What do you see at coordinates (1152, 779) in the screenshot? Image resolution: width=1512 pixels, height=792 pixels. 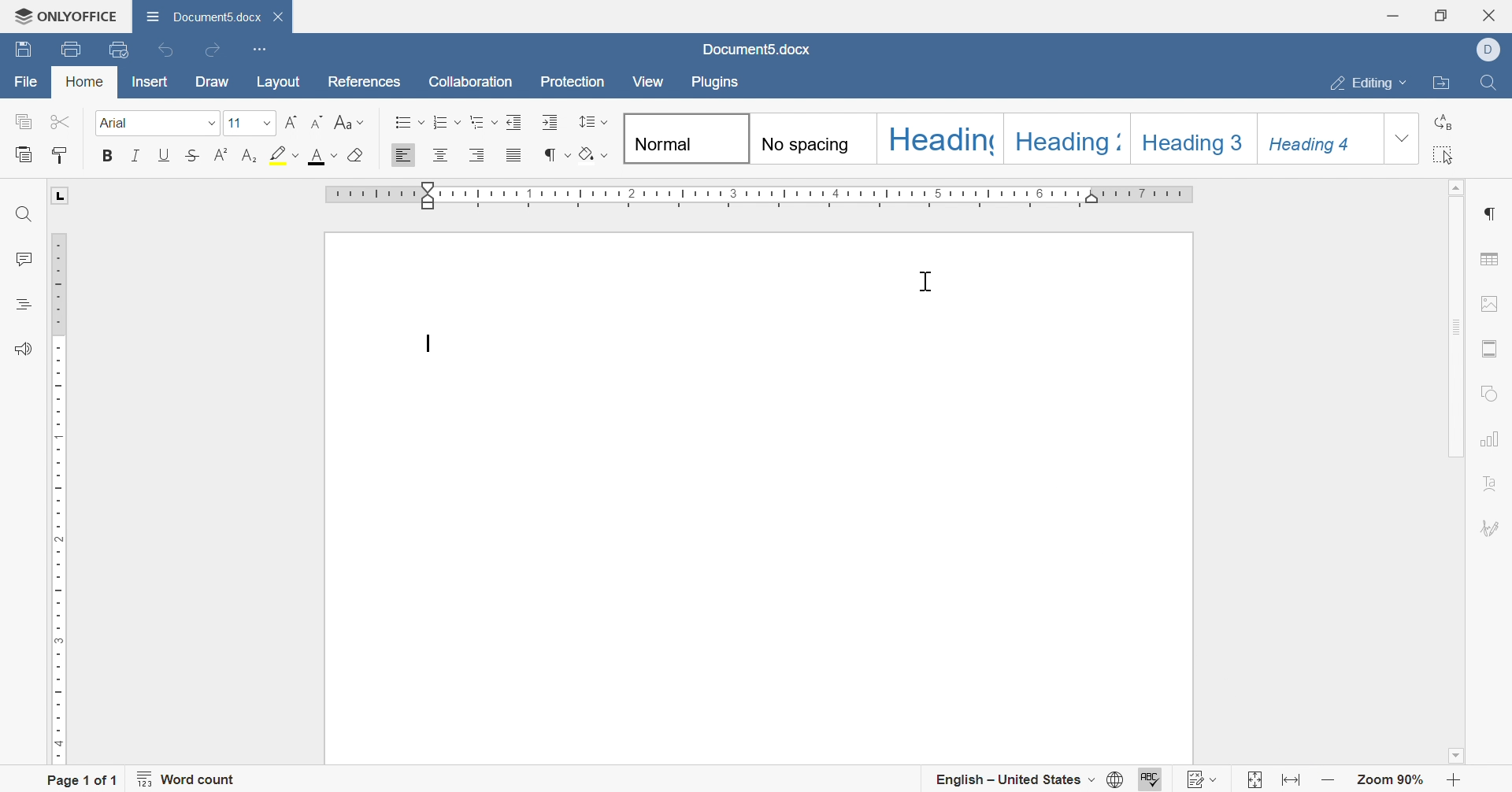 I see `spell checking` at bounding box center [1152, 779].